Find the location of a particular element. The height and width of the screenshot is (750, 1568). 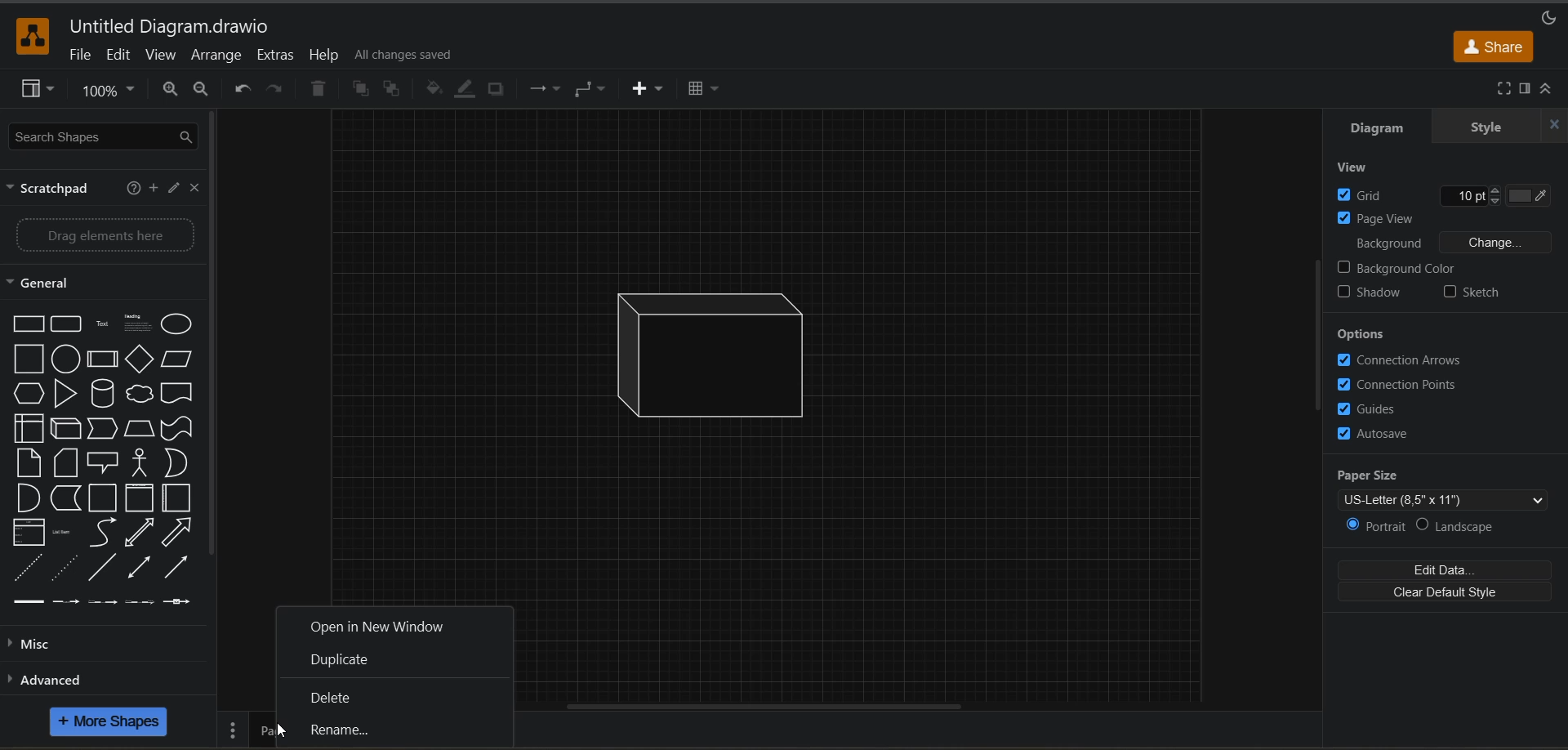

vertical scroll bar is located at coordinates (1319, 335).